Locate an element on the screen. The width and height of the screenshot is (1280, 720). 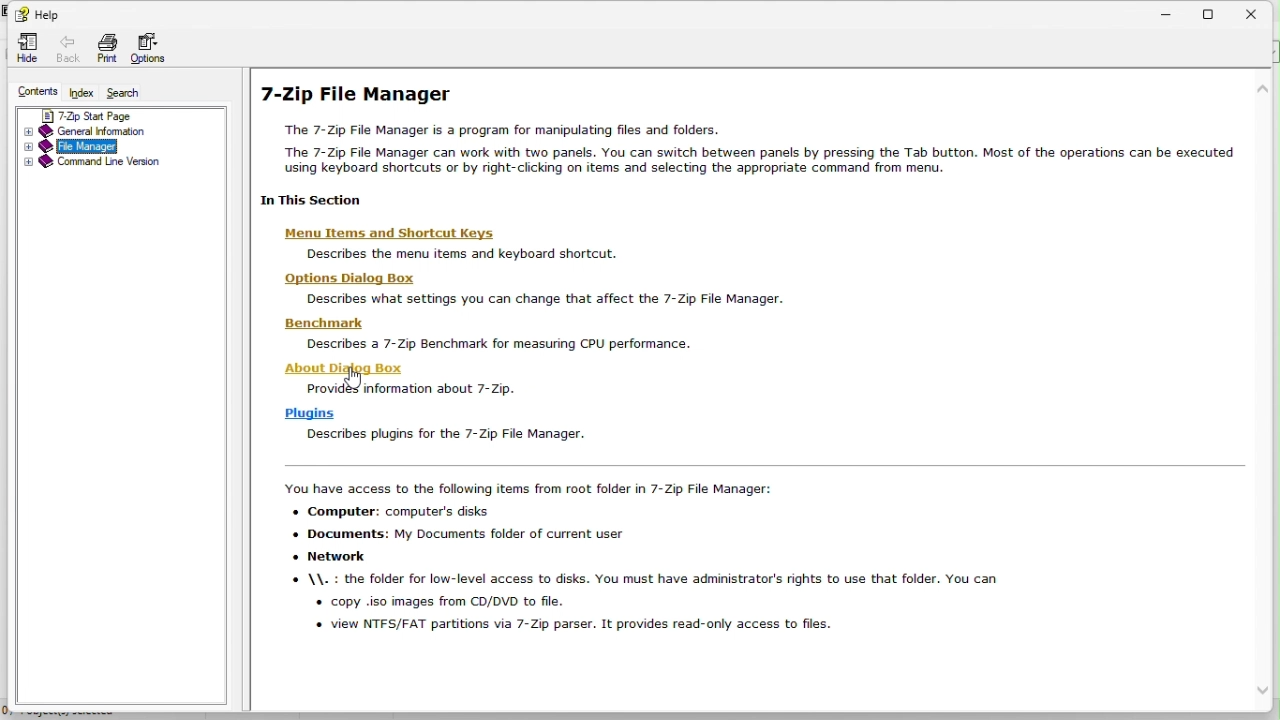
Options is located at coordinates (151, 47).